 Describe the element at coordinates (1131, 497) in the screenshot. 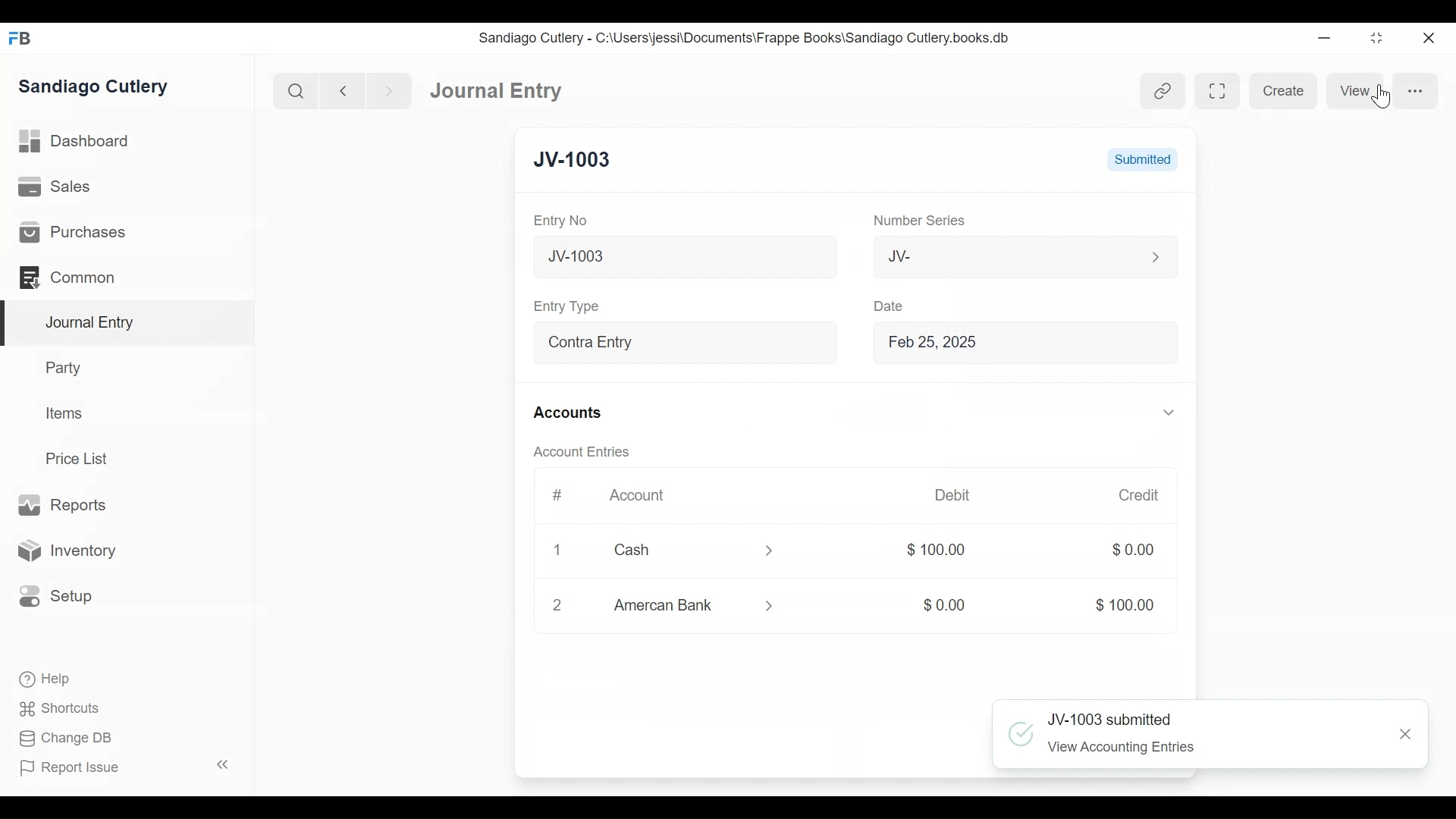

I see `Credit` at that location.